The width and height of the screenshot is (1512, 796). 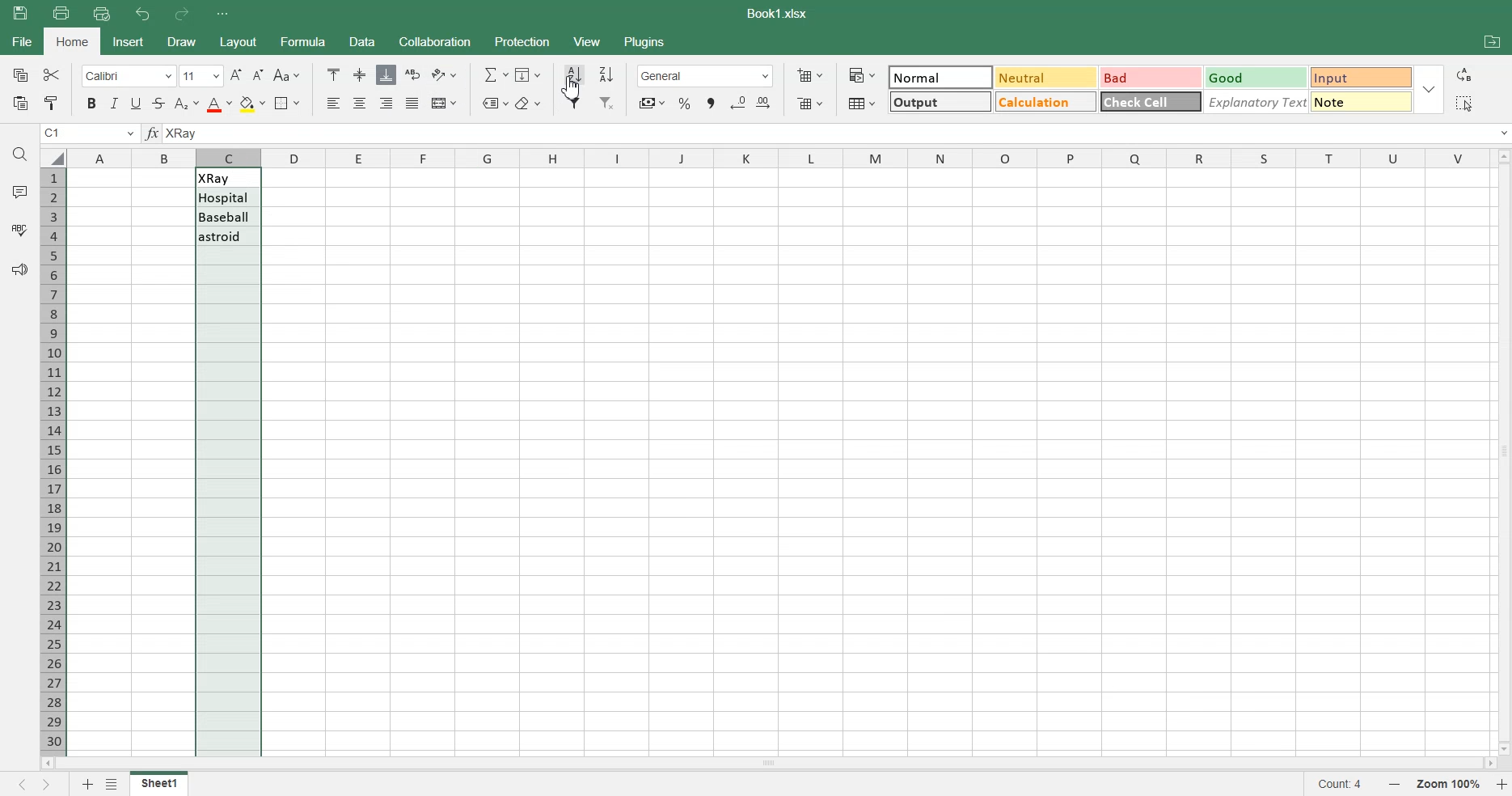 I want to click on Align Top, so click(x=333, y=74).